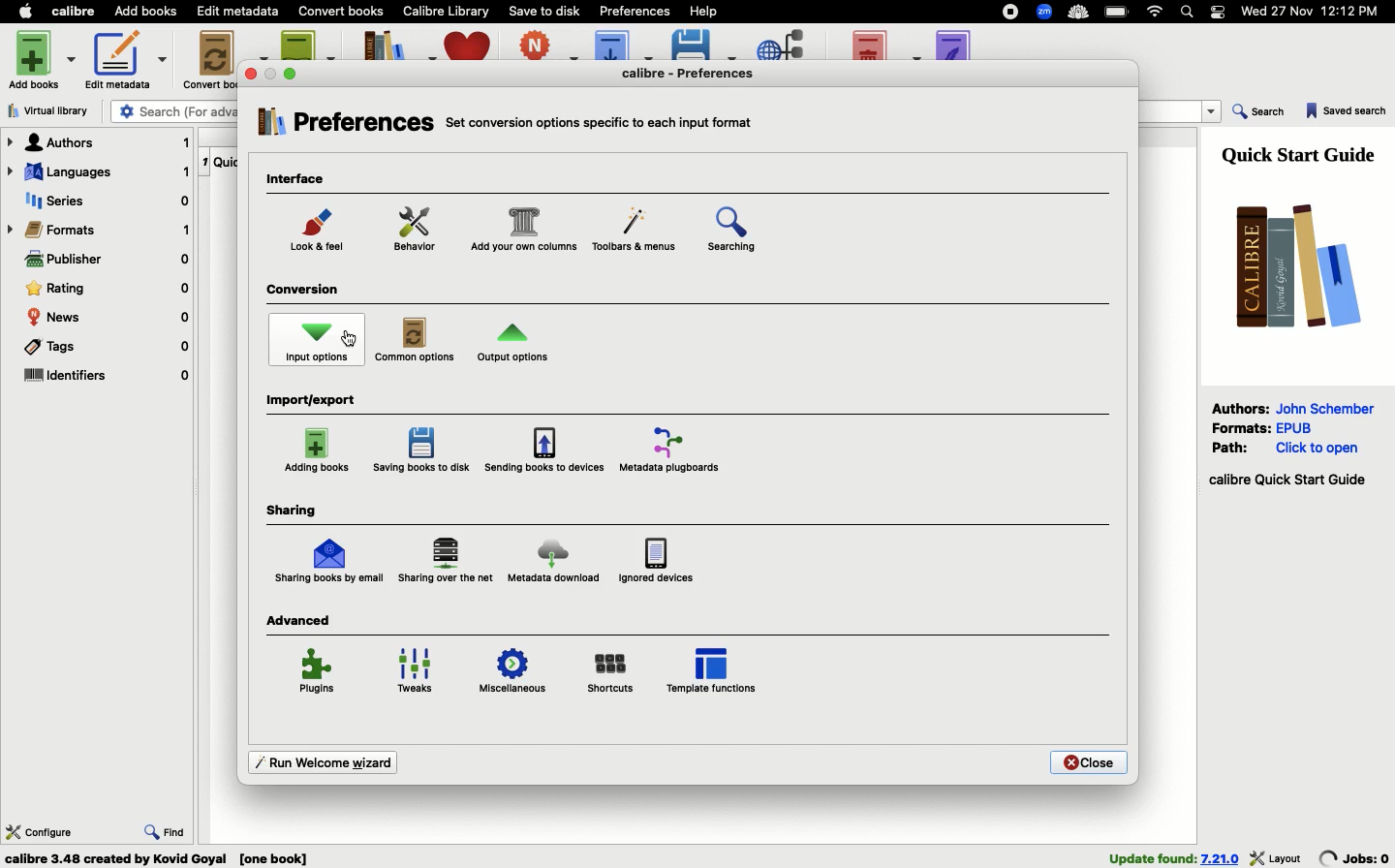 The height and width of the screenshot is (868, 1395). I want to click on Languages, so click(98, 173).